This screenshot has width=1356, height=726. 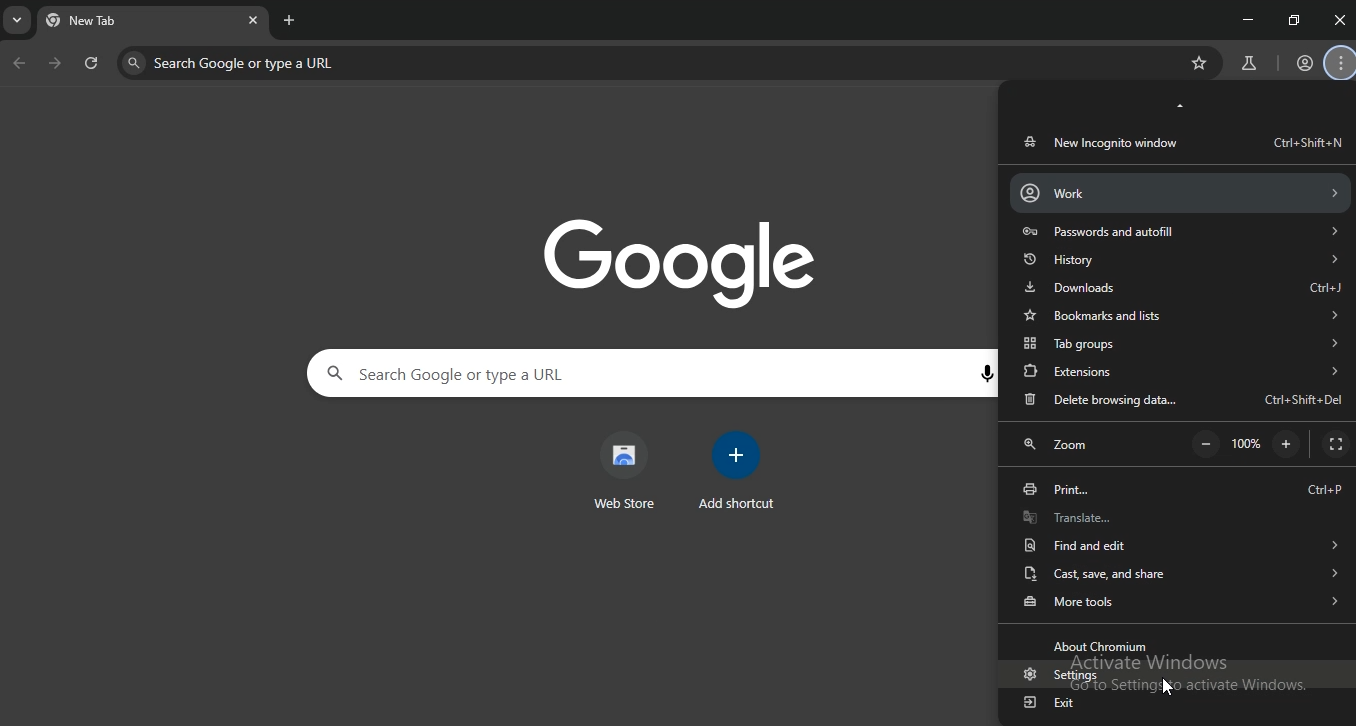 What do you see at coordinates (1169, 688) in the screenshot?
I see `cursor` at bounding box center [1169, 688].